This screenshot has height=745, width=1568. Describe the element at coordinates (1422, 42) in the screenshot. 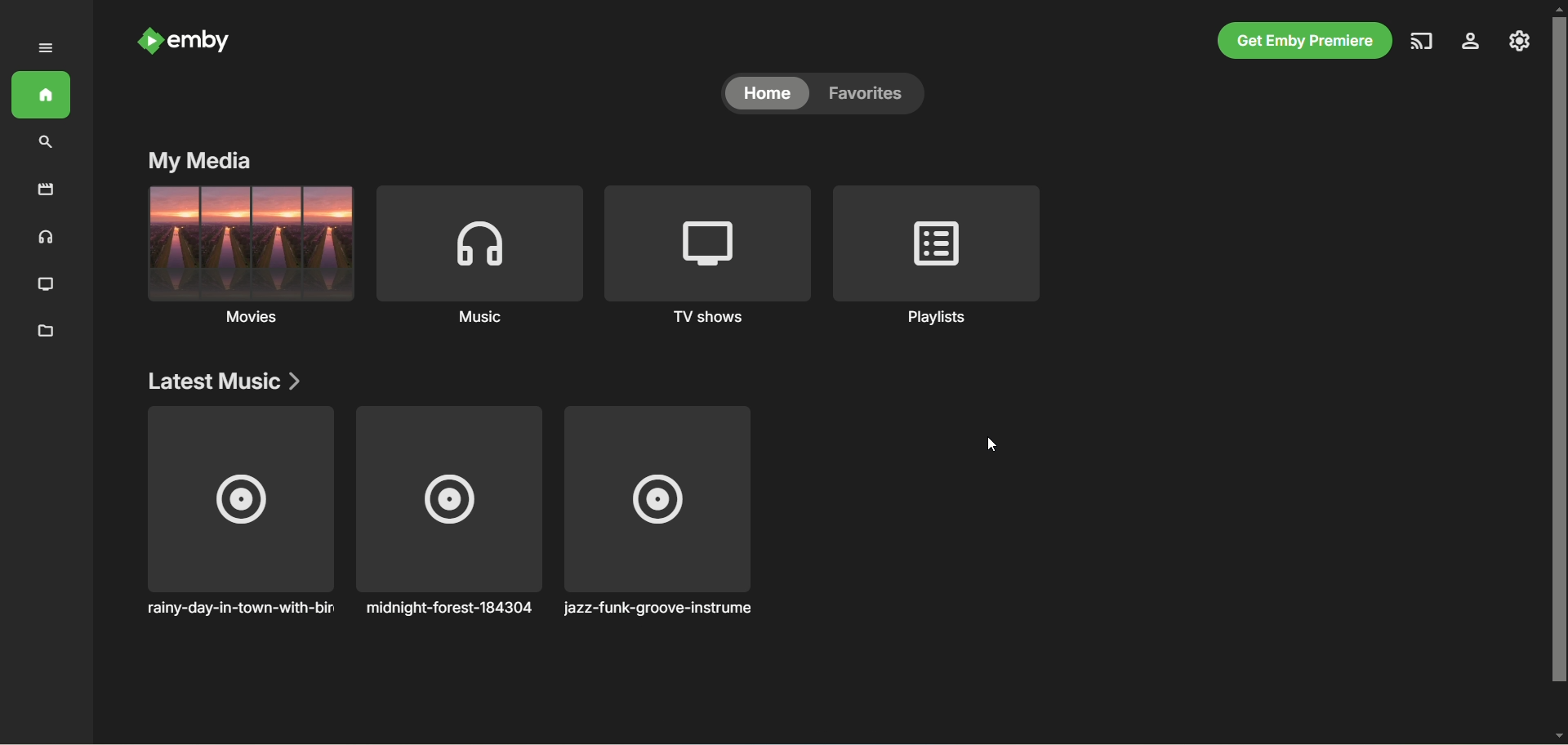

I see `play on another device` at that location.